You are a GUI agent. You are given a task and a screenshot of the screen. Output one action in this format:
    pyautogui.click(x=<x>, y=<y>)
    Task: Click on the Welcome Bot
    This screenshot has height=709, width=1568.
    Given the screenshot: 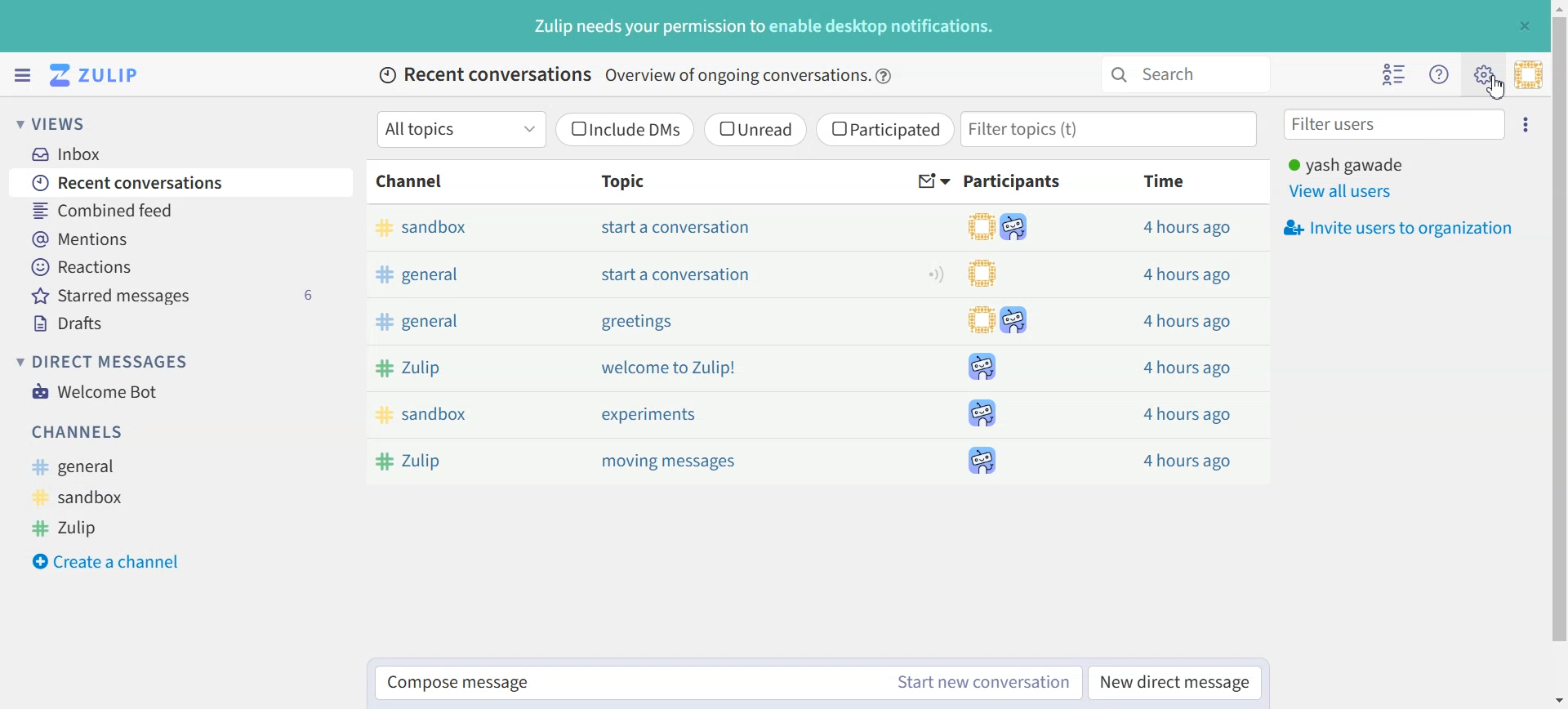 What is the action you would take?
    pyautogui.click(x=95, y=390)
    